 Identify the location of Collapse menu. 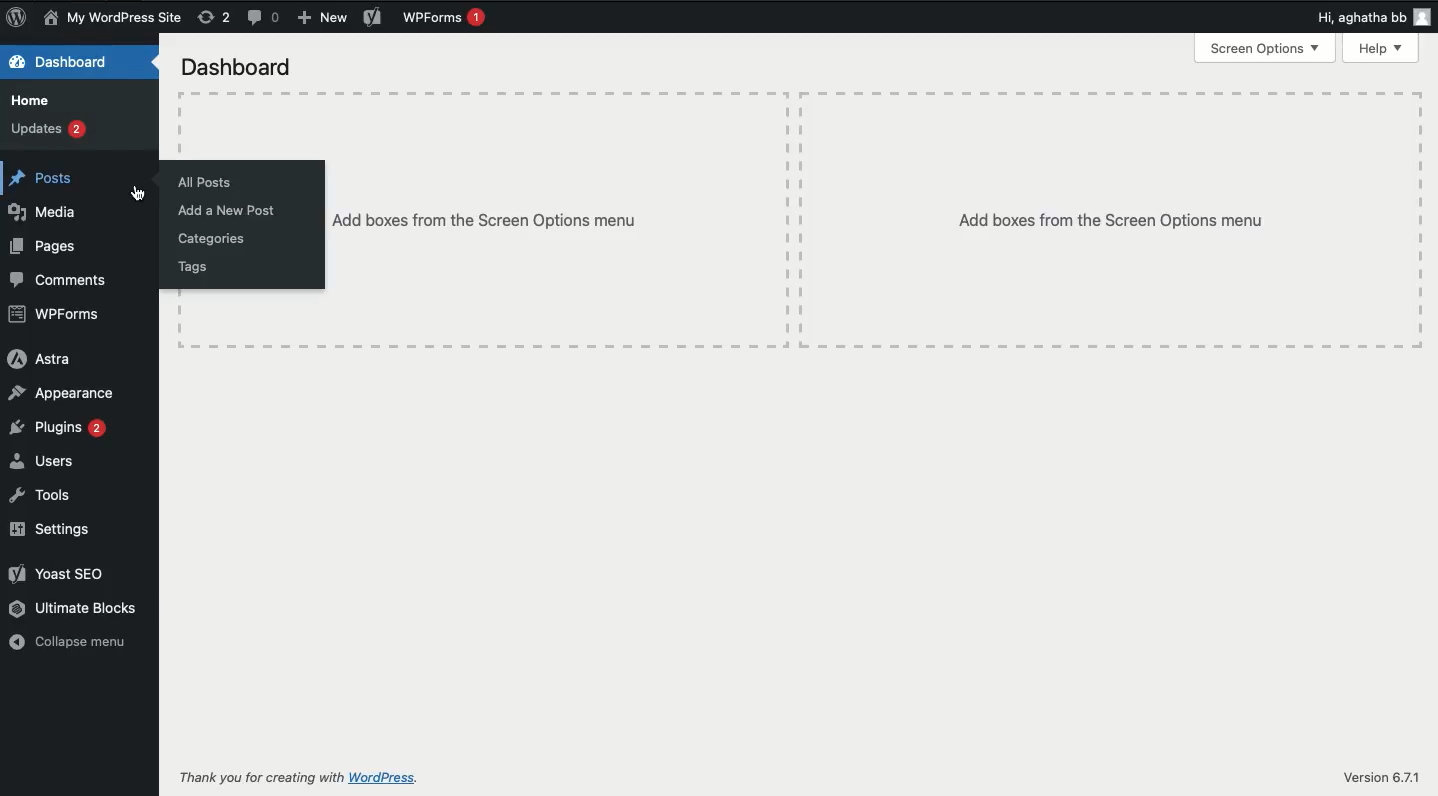
(70, 639).